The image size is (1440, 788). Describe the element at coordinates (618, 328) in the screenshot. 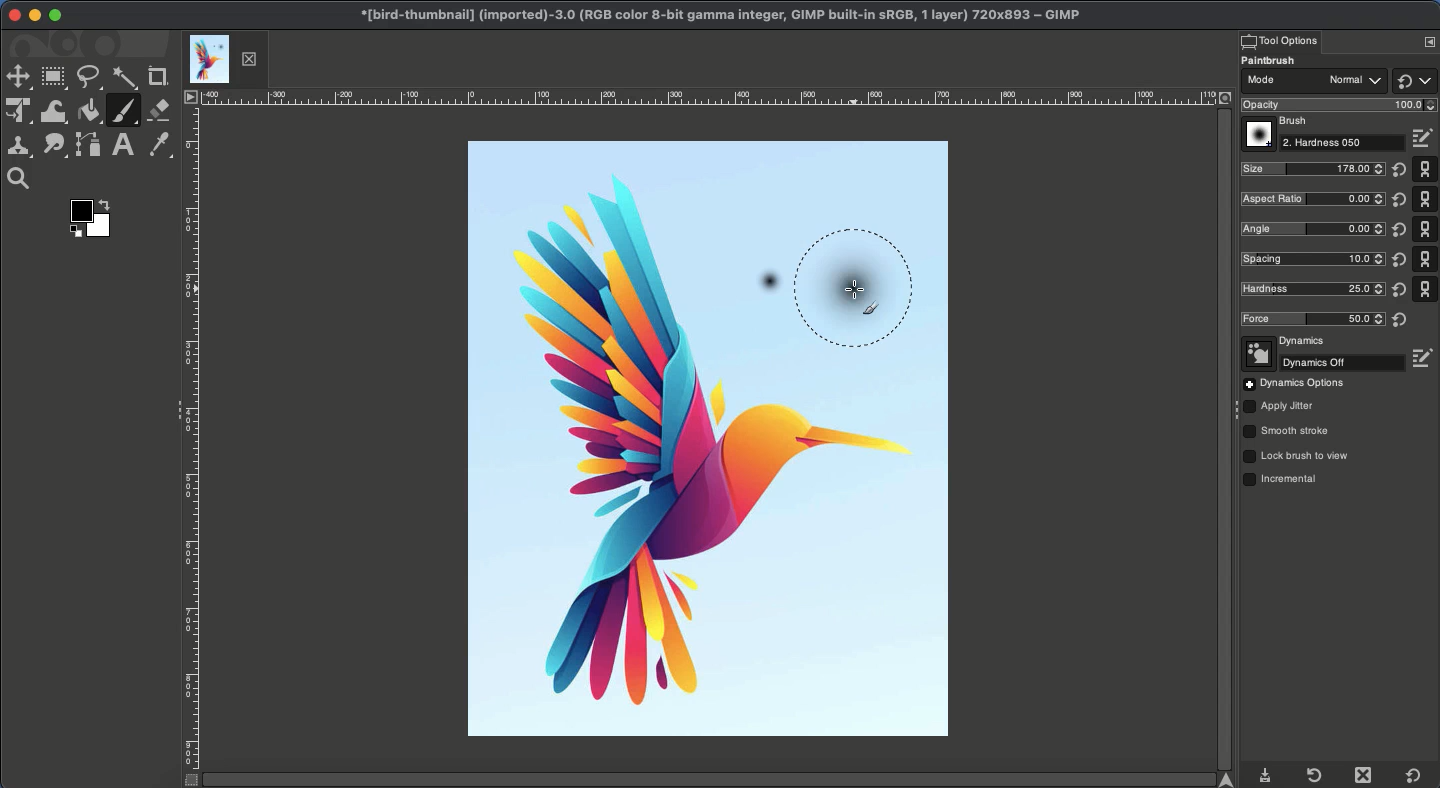

I see `image` at that location.